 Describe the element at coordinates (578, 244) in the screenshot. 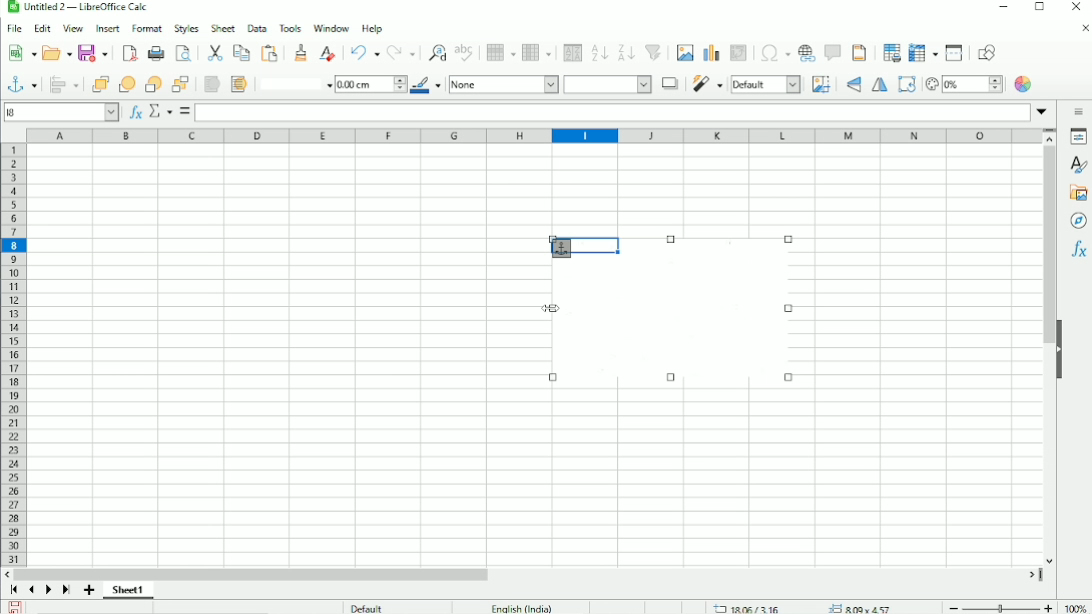

I see `cell selected` at that location.